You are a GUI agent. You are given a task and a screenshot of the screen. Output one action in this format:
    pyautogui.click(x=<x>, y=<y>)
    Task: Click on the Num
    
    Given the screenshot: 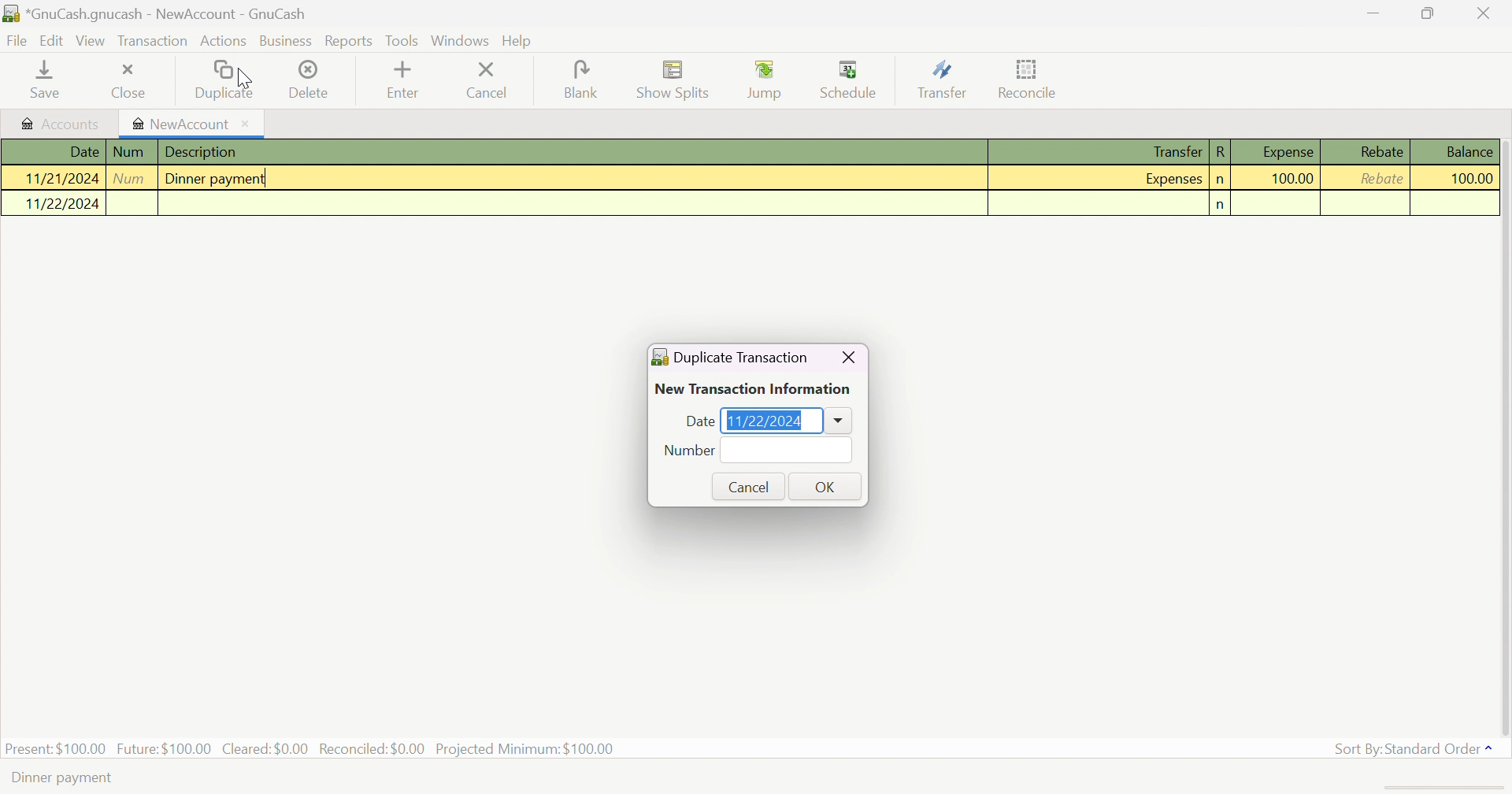 What is the action you would take?
    pyautogui.click(x=129, y=151)
    